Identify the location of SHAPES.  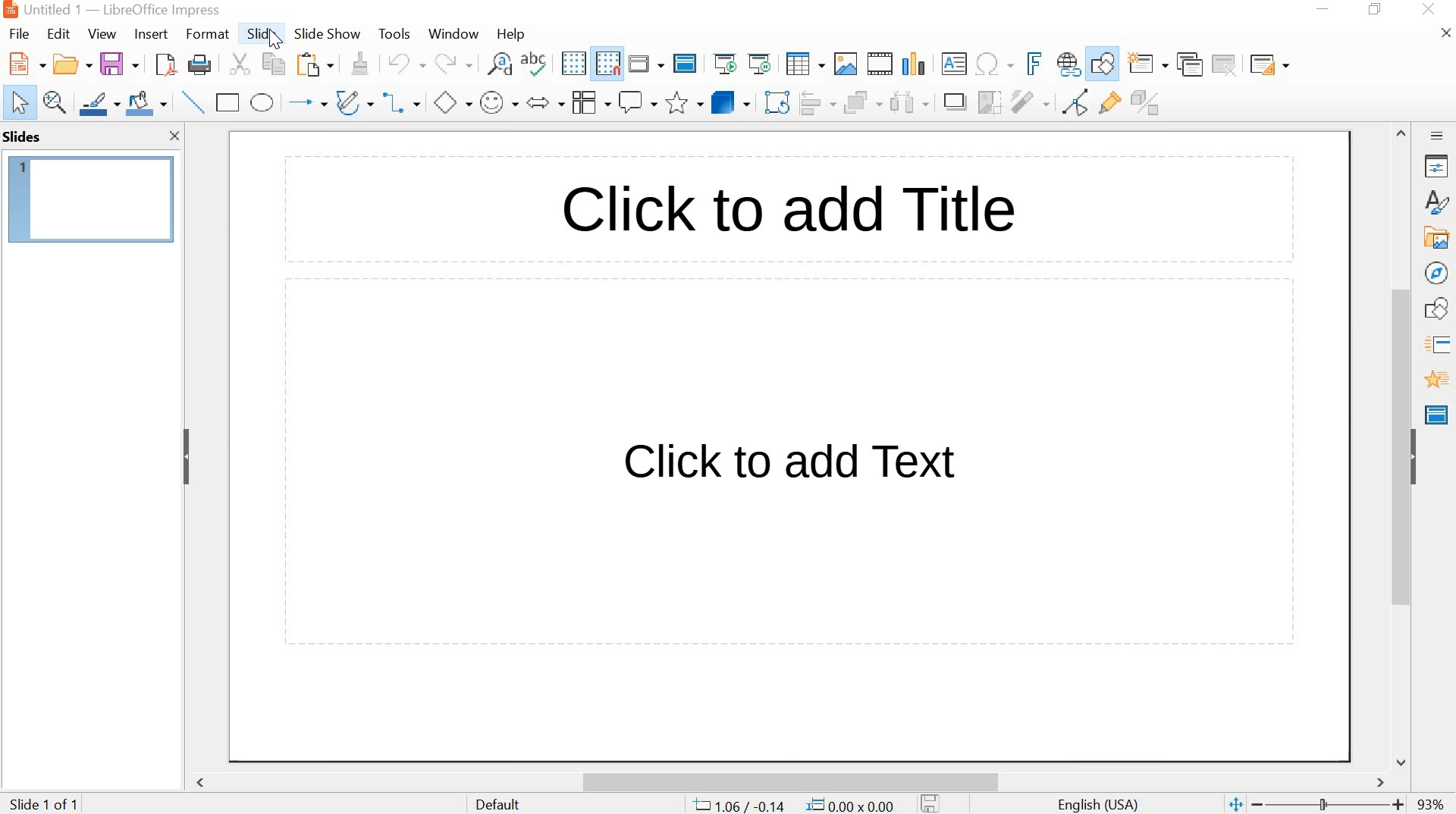
(1439, 308).